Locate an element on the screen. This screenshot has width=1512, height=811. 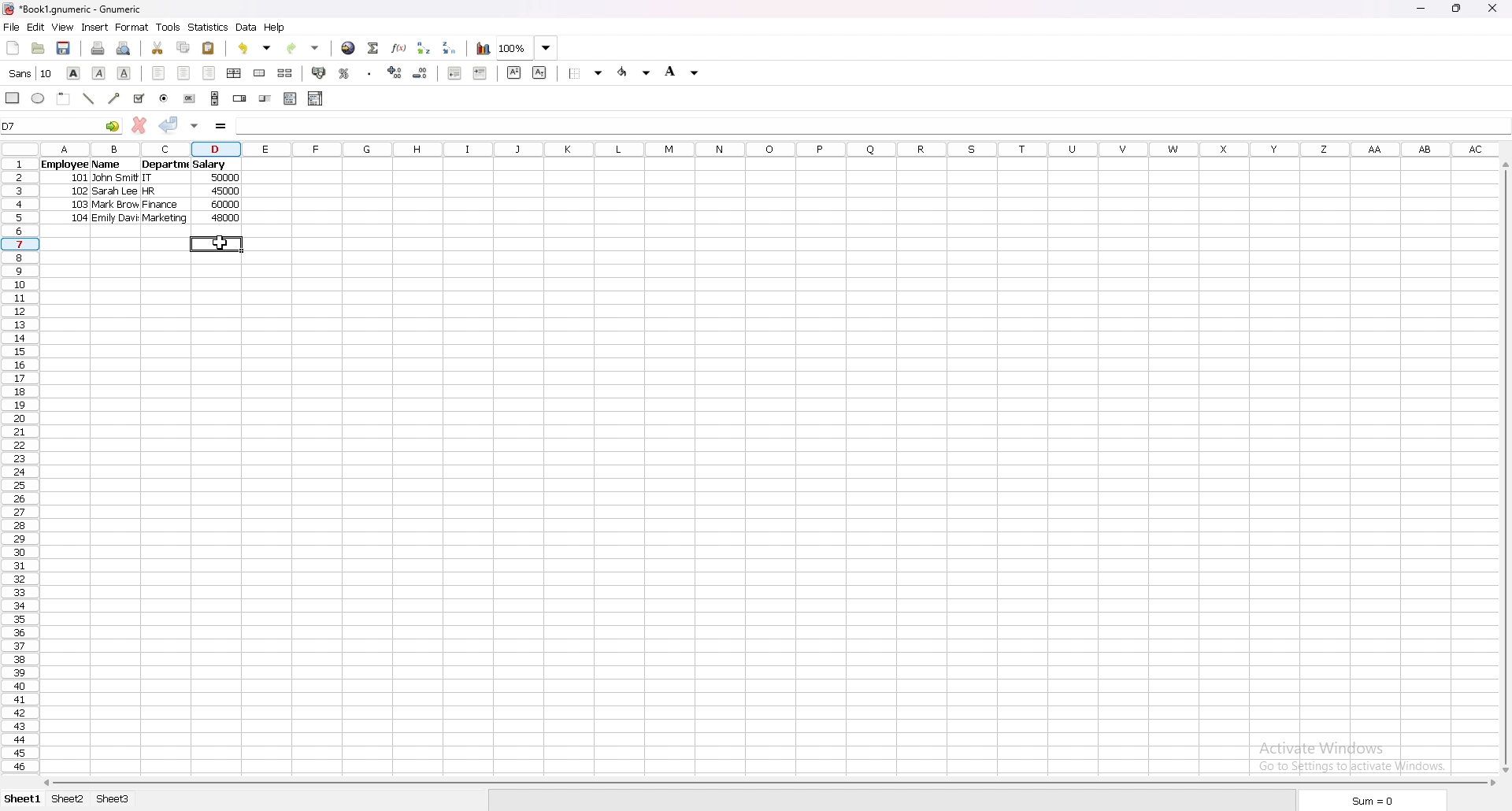
tickbox is located at coordinates (139, 98).